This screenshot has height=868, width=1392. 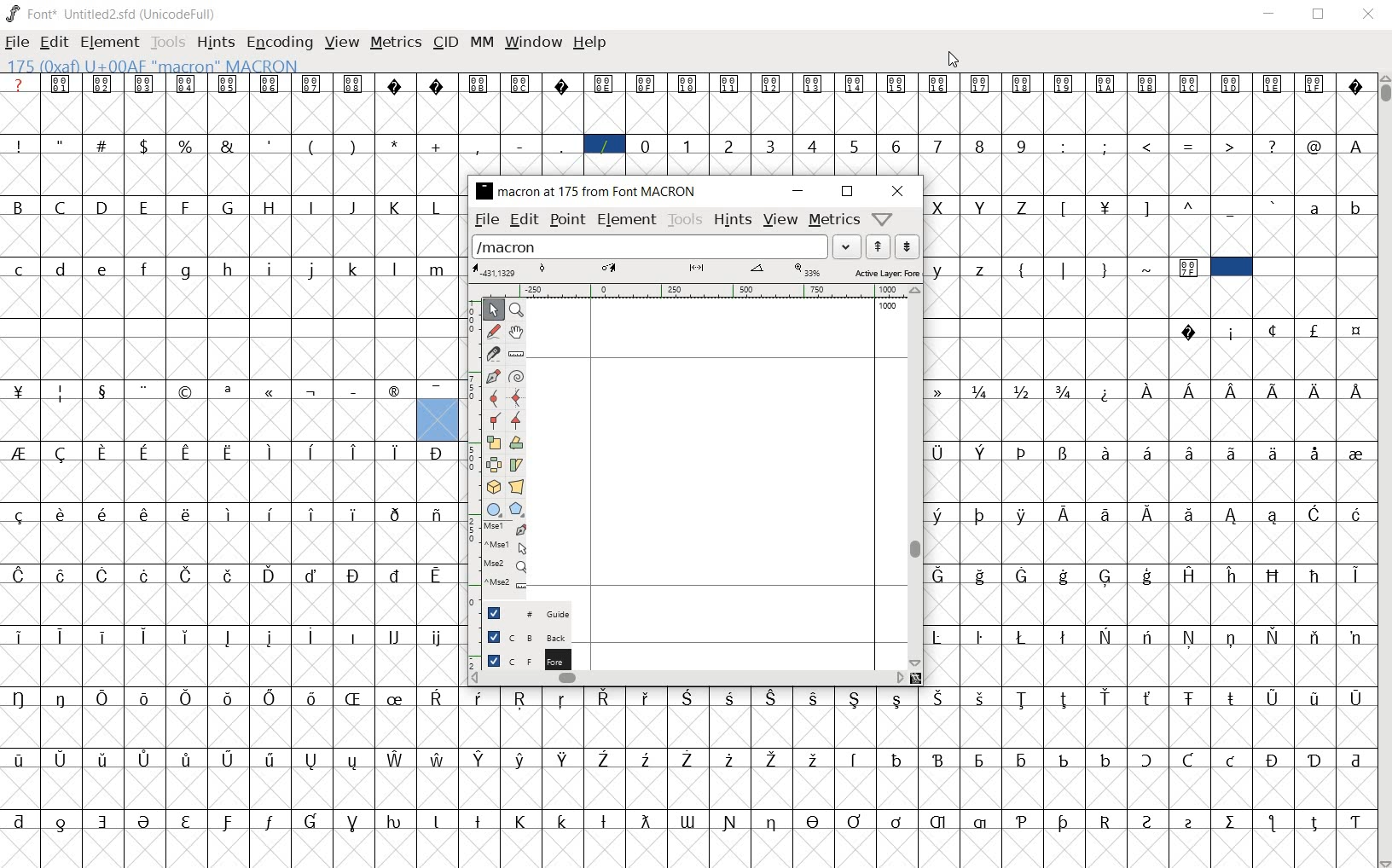 What do you see at coordinates (279, 43) in the screenshot?
I see `encoding` at bounding box center [279, 43].